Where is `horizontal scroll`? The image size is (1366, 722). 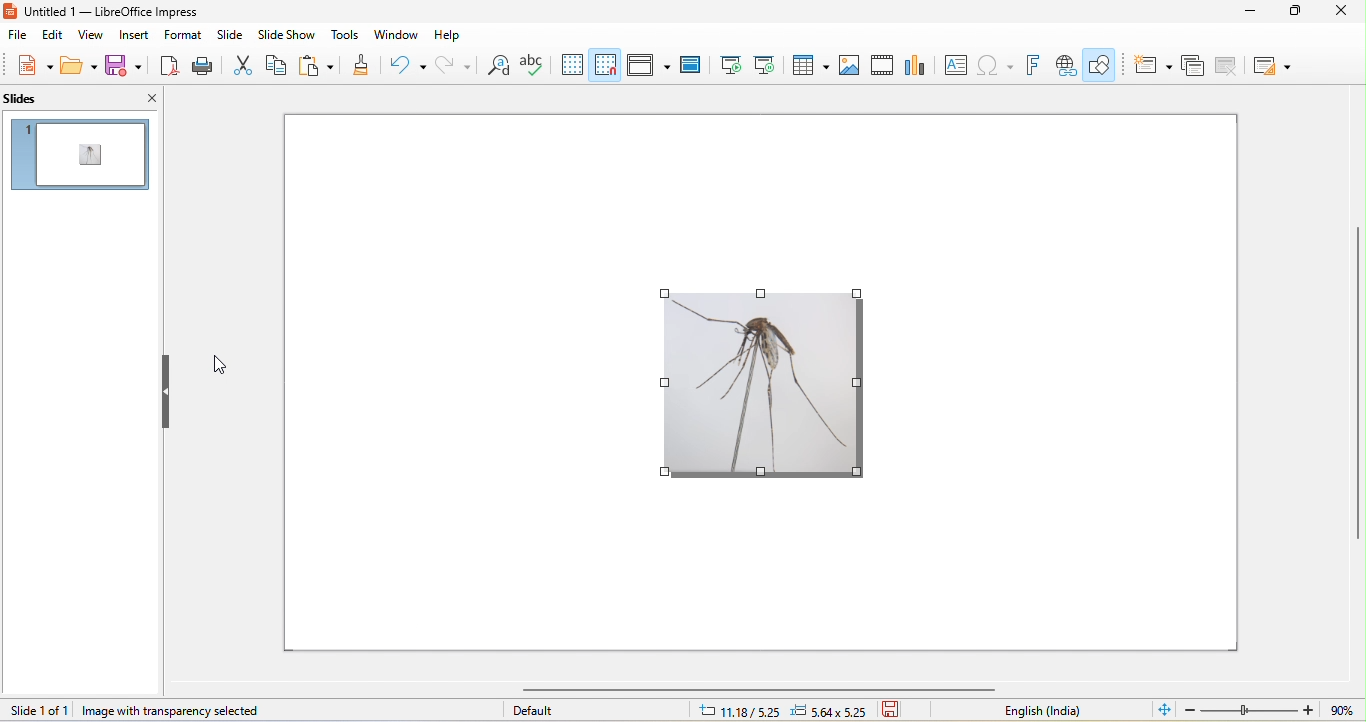
horizontal scroll is located at coordinates (788, 690).